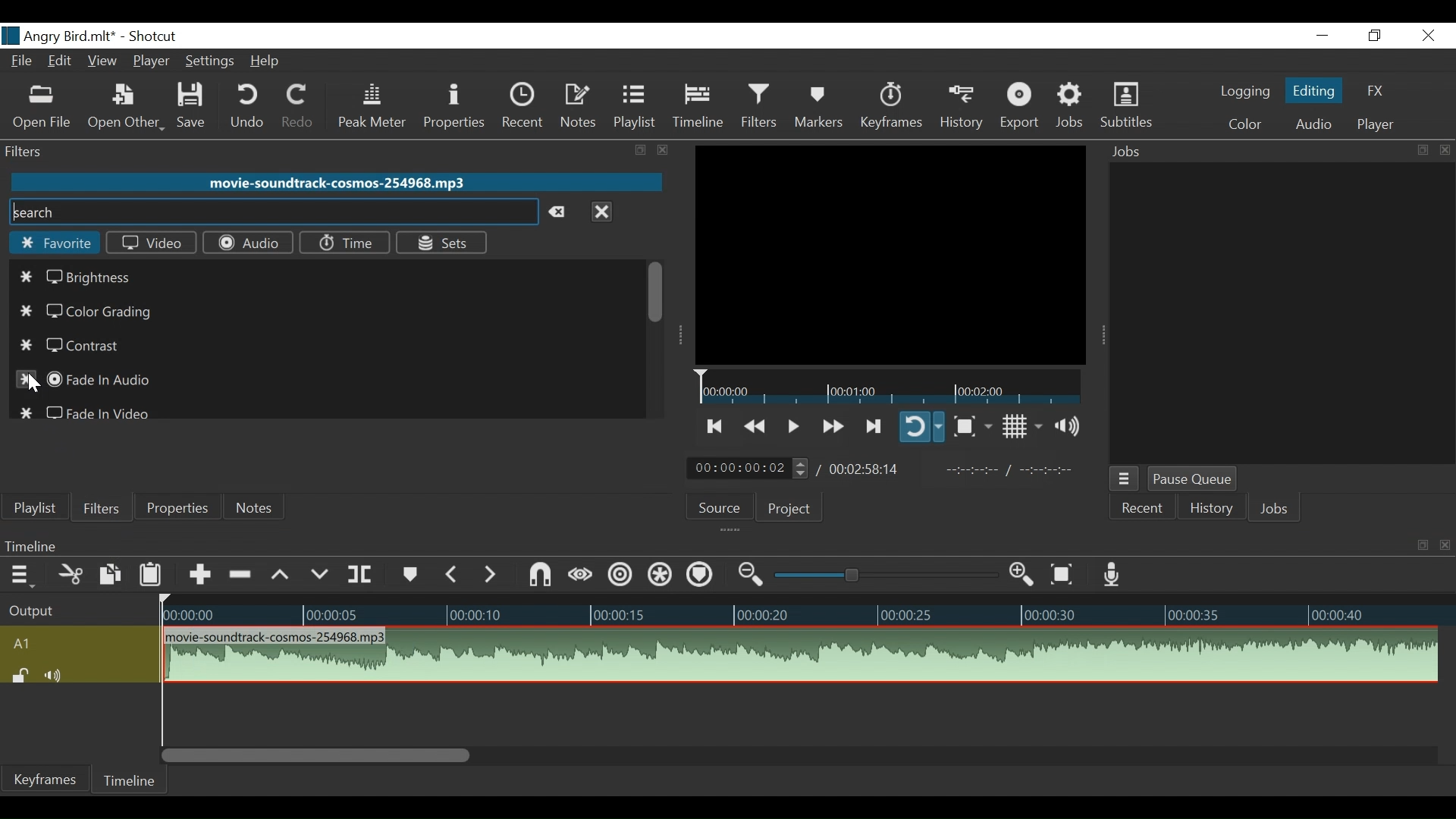 This screenshot has height=819, width=1456. Describe the element at coordinates (961, 107) in the screenshot. I see `History` at that location.